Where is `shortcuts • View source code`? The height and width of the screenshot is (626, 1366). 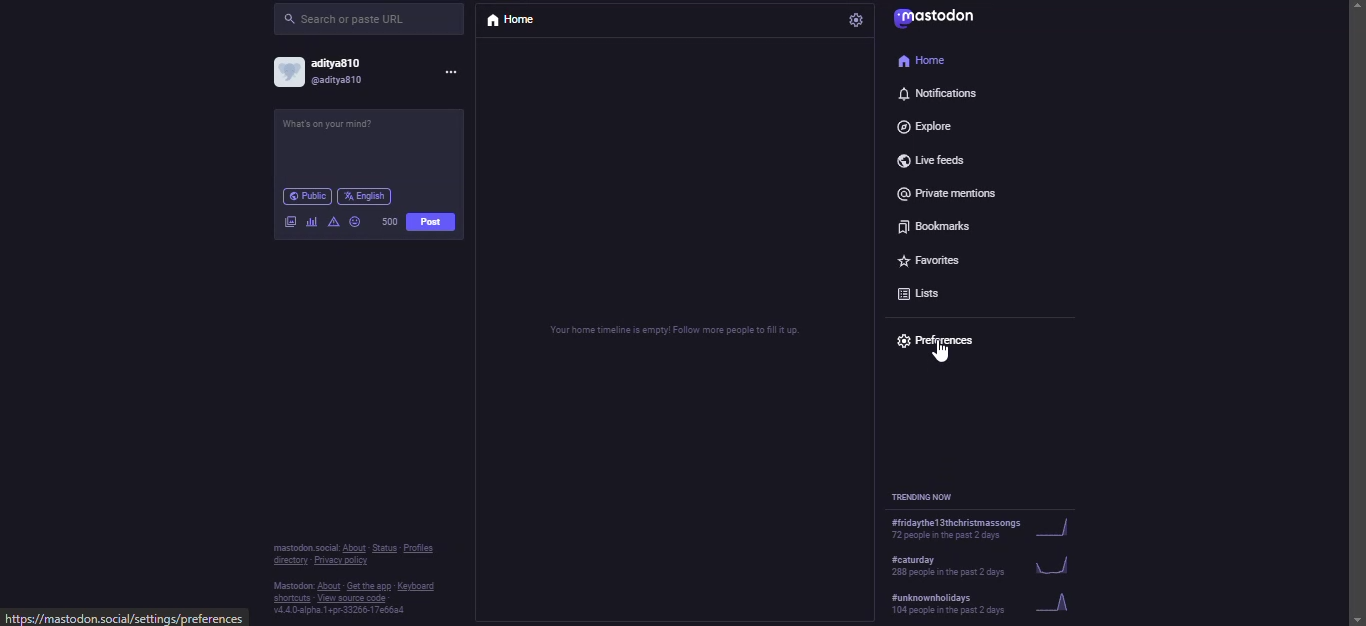
shortcuts • View source code is located at coordinates (346, 600).